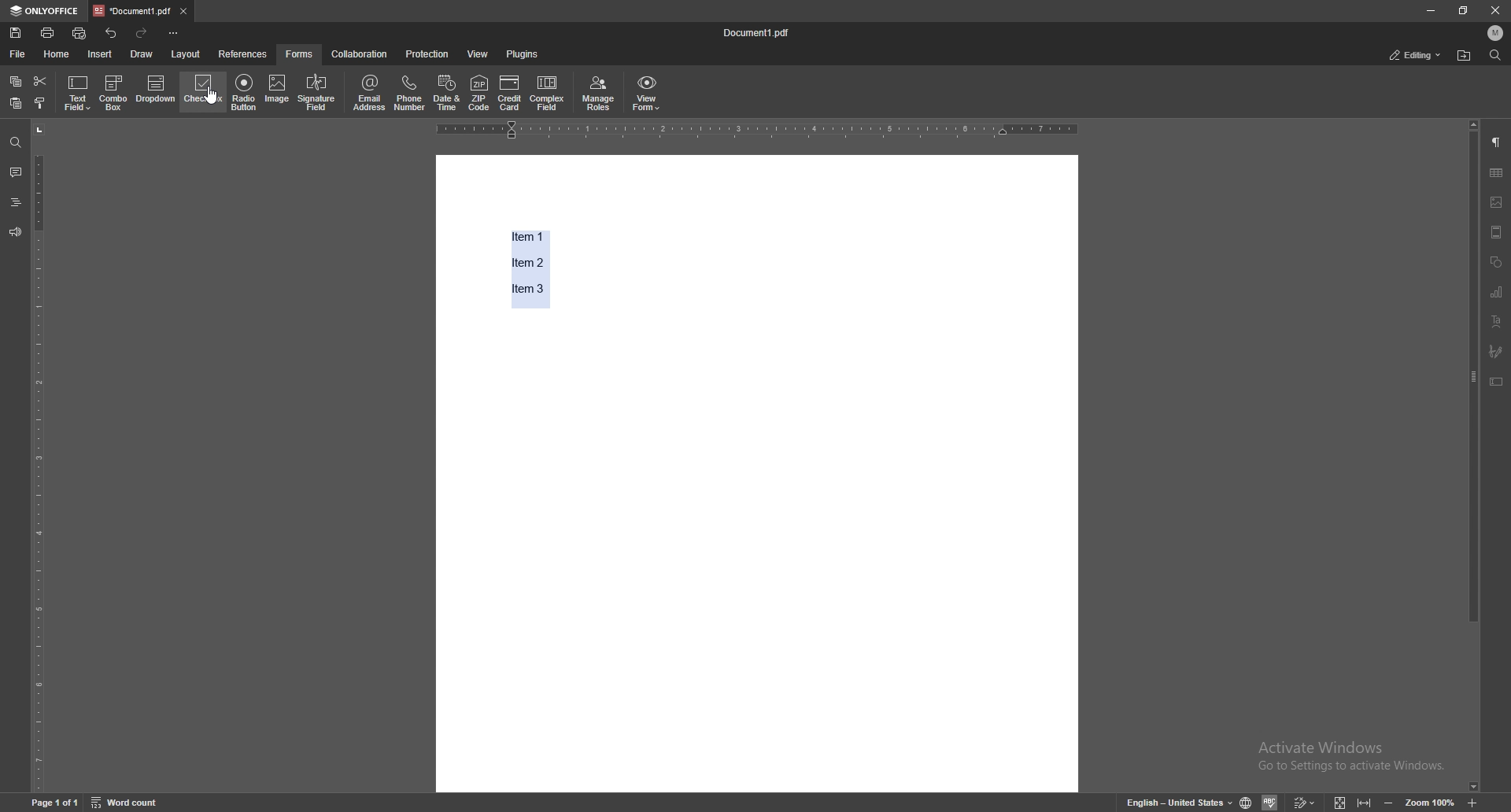 The height and width of the screenshot is (812, 1511). Describe the element at coordinates (1247, 800) in the screenshot. I see `change doc language` at that location.